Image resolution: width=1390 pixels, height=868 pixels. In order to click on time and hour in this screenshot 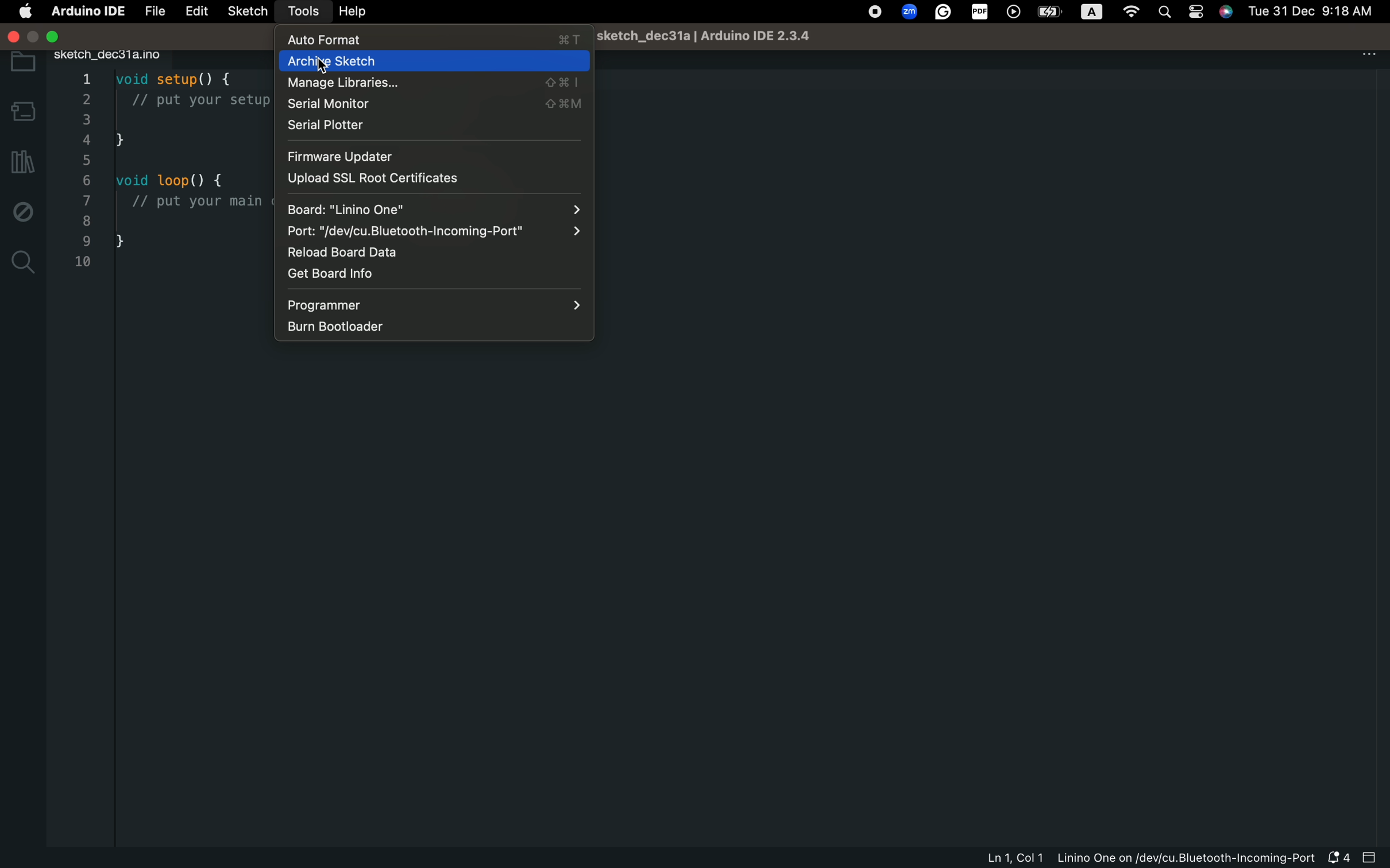, I will do `click(1314, 10)`.